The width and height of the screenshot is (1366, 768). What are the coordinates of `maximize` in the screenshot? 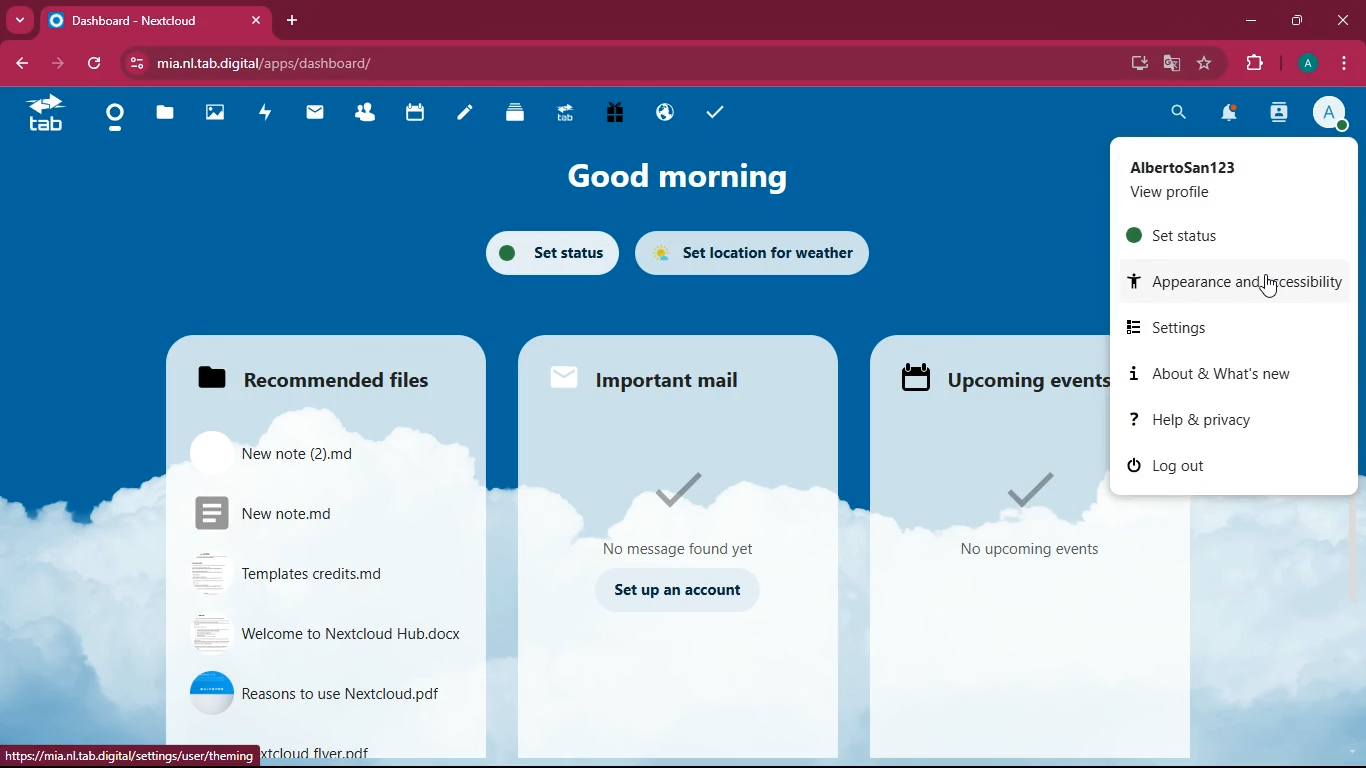 It's located at (1299, 21).